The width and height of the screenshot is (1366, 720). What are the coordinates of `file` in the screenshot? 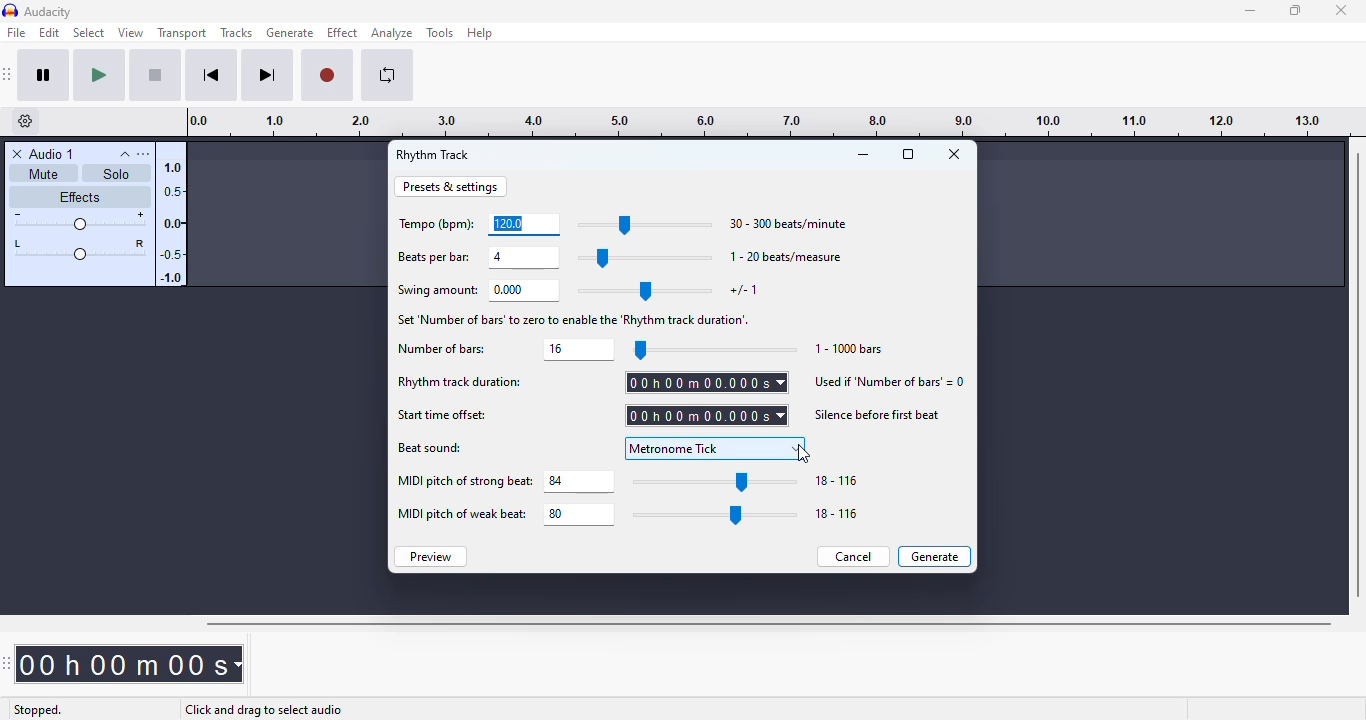 It's located at (16, 31).